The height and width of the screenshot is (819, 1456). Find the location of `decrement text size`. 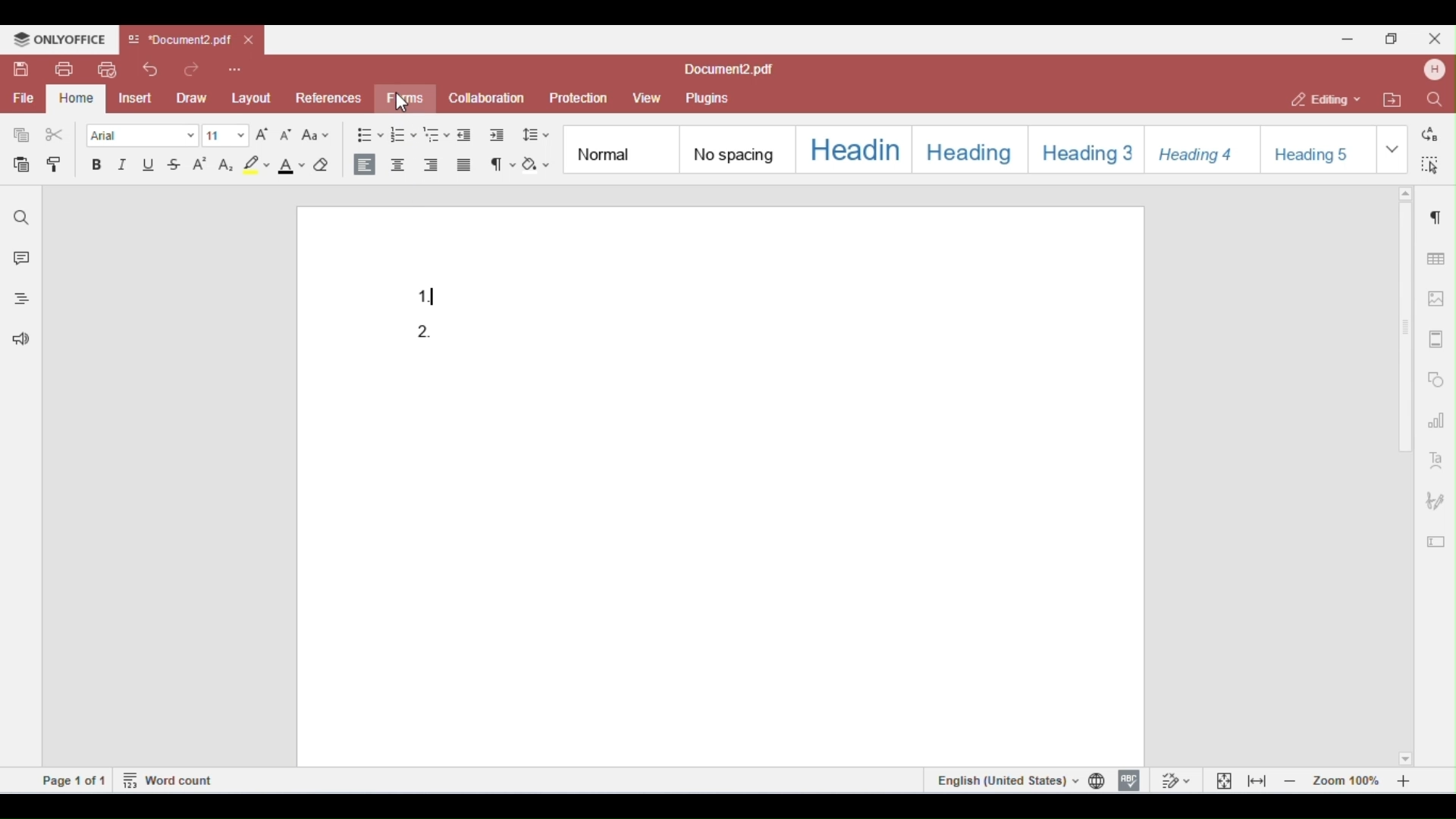

decrement text size is located at coordinates (287, 137).